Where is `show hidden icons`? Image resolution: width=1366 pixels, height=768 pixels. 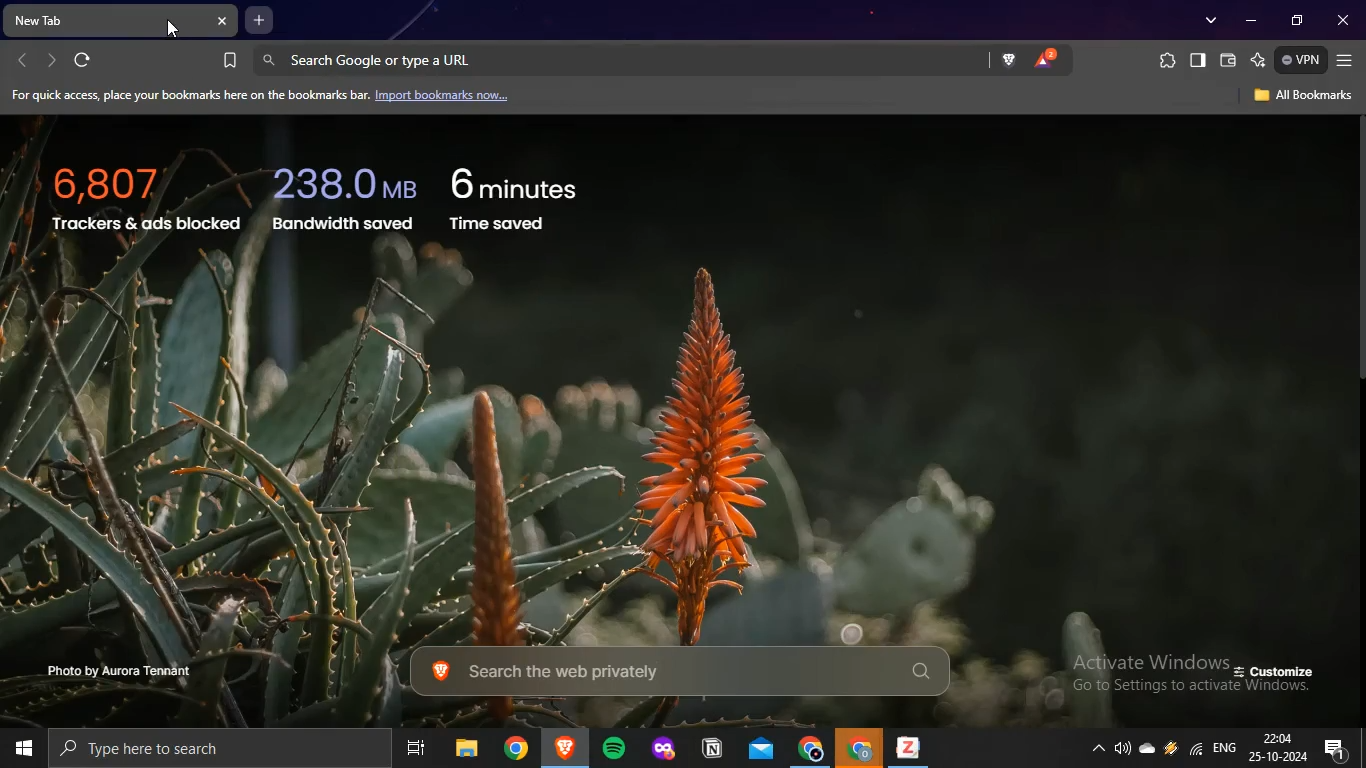 show hidden icons is located at coordinates (1098, 747).